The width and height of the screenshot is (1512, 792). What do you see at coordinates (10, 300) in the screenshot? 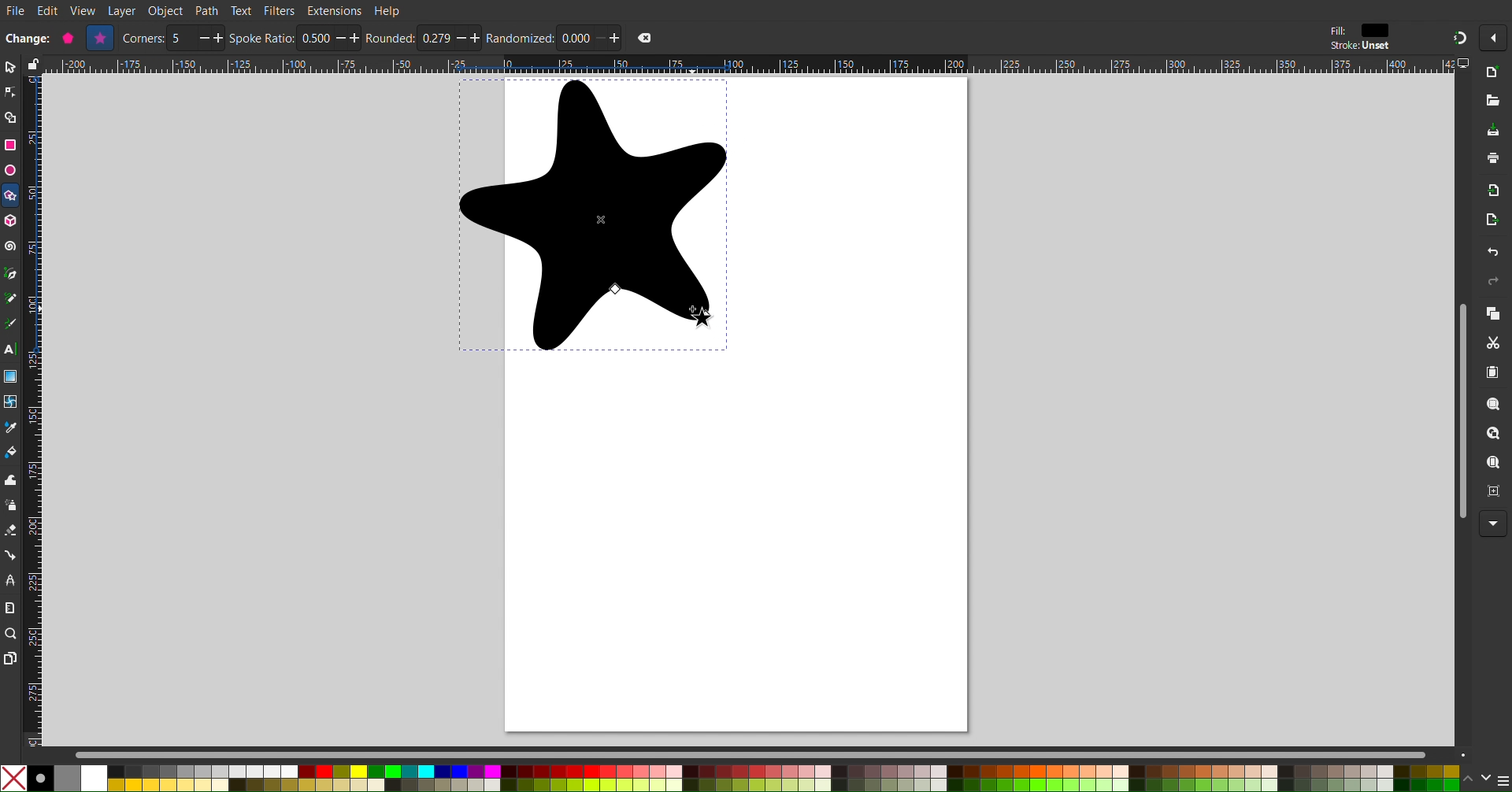
I see `Pencil Tool` at bounding box center [10, 300].